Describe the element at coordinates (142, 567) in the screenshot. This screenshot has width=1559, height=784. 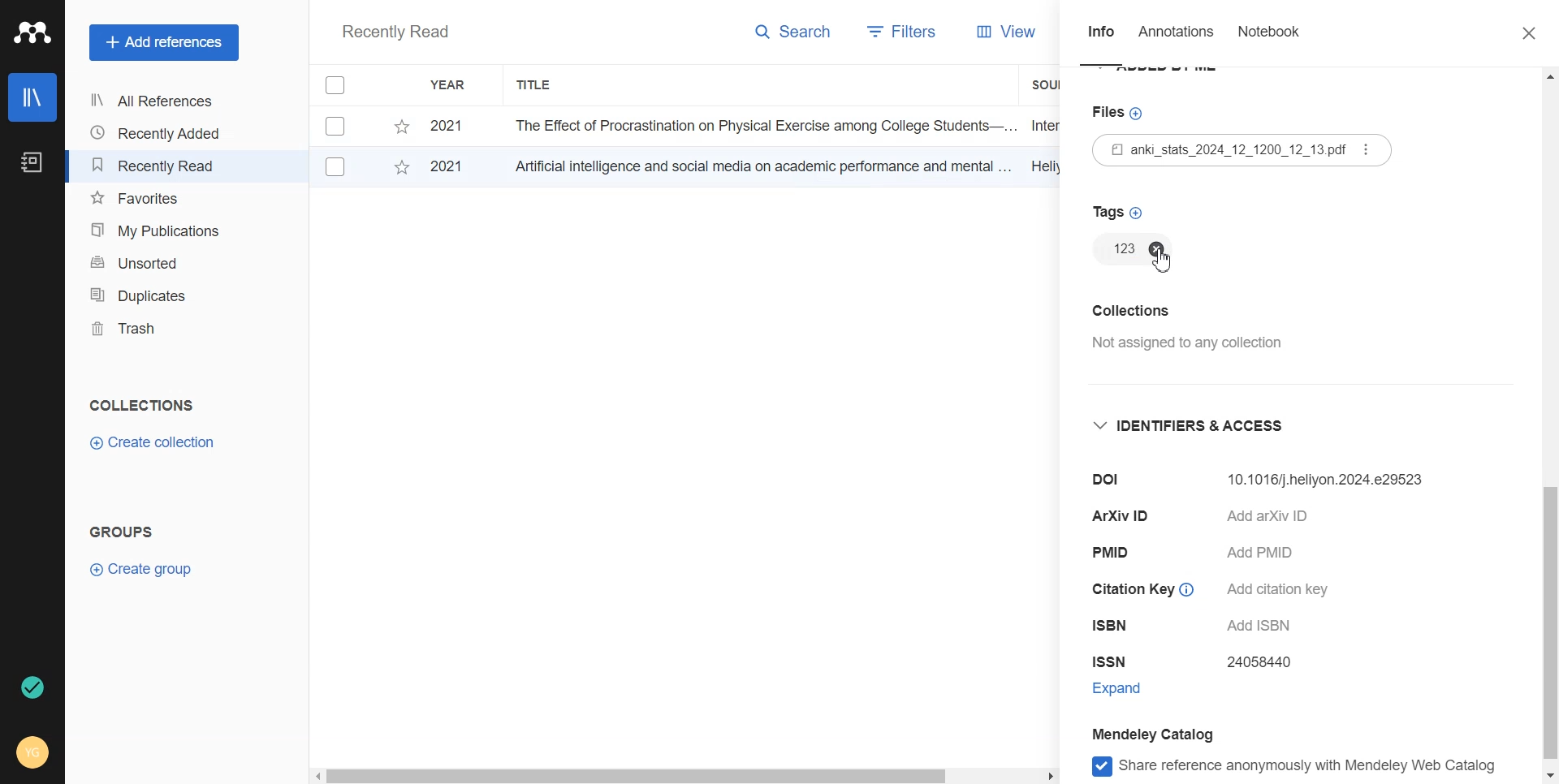
I see `Create group` at that location.